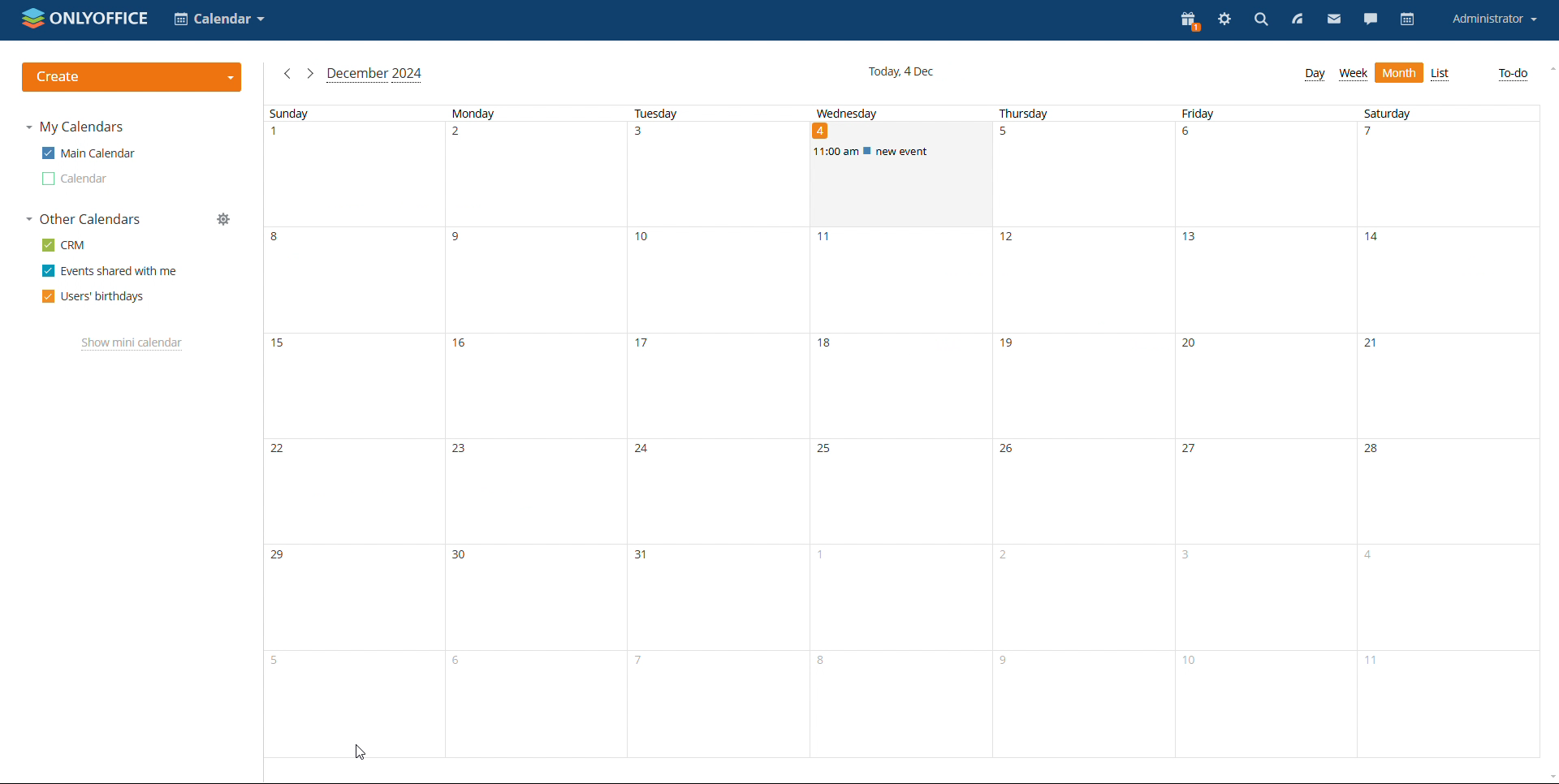 This screenshot has height=784, width=1559. What do you see at coordinates (1493, 19) in the screenshot?
I see `account` at bounding box center [1493, 19].